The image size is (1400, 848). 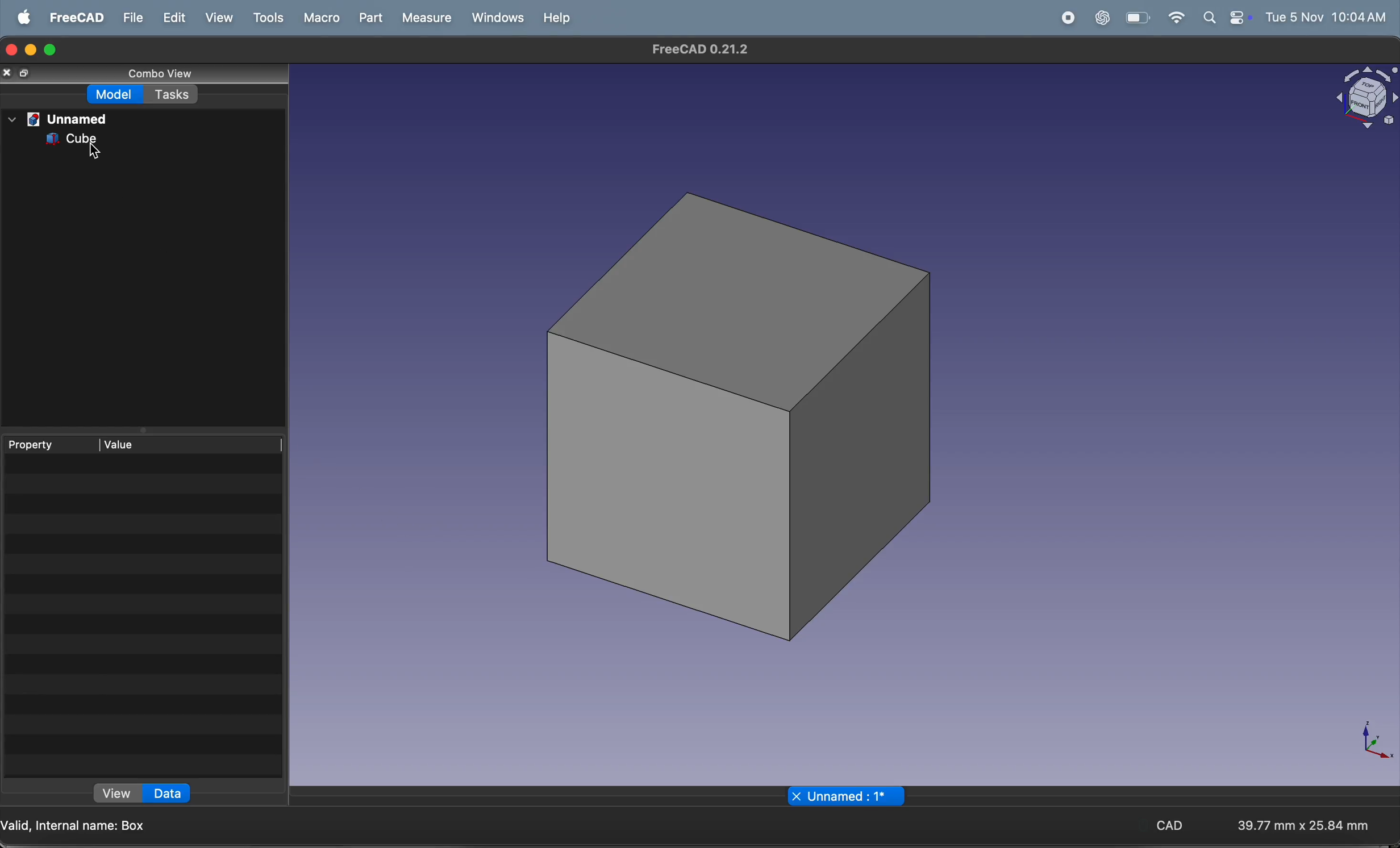 What do you see at coordinates (429, 18) in the screenshot?
I see `measure` at bounding box center [429, 18].